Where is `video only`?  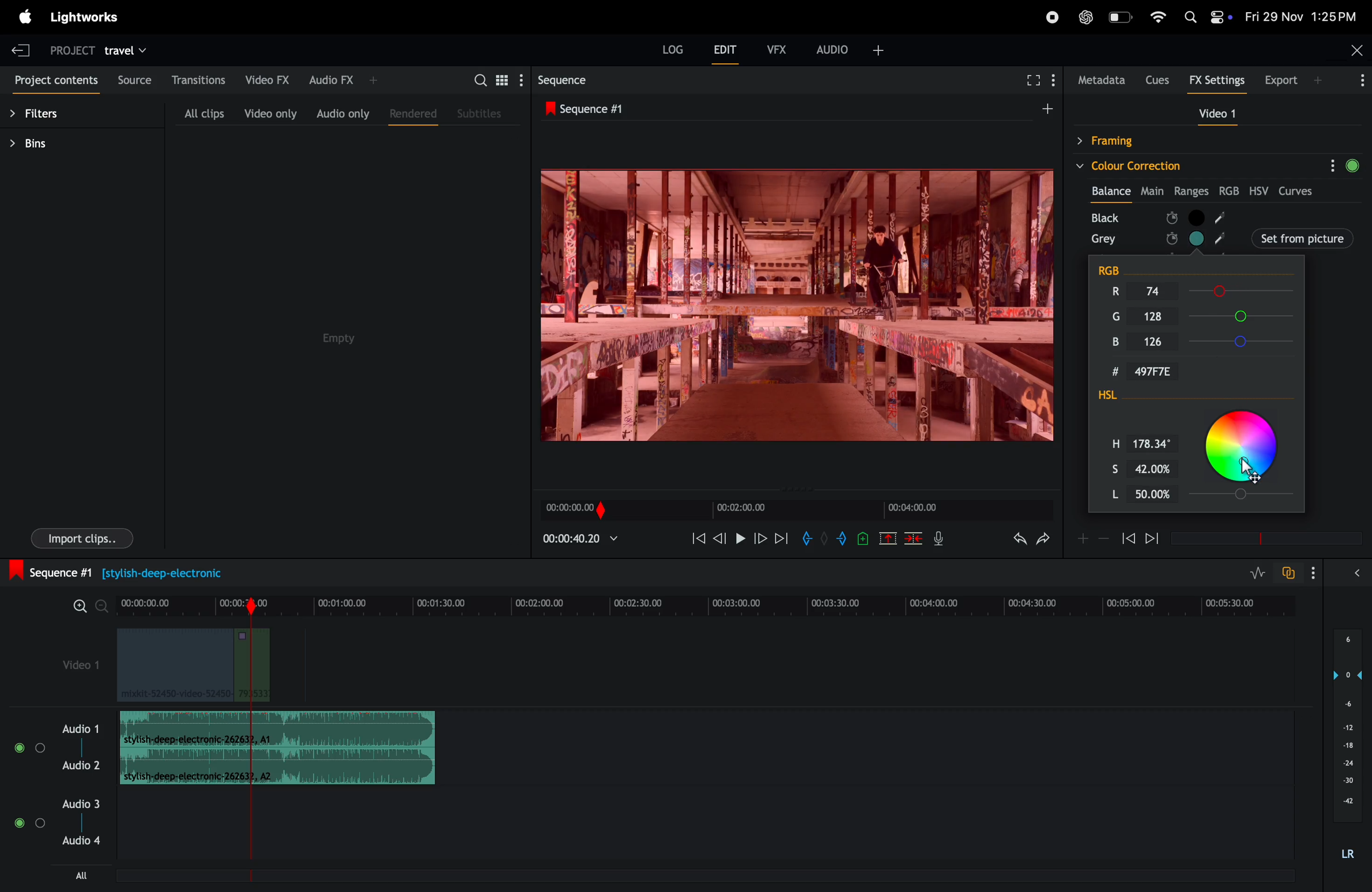 video only is located at coordinates (270, 114).